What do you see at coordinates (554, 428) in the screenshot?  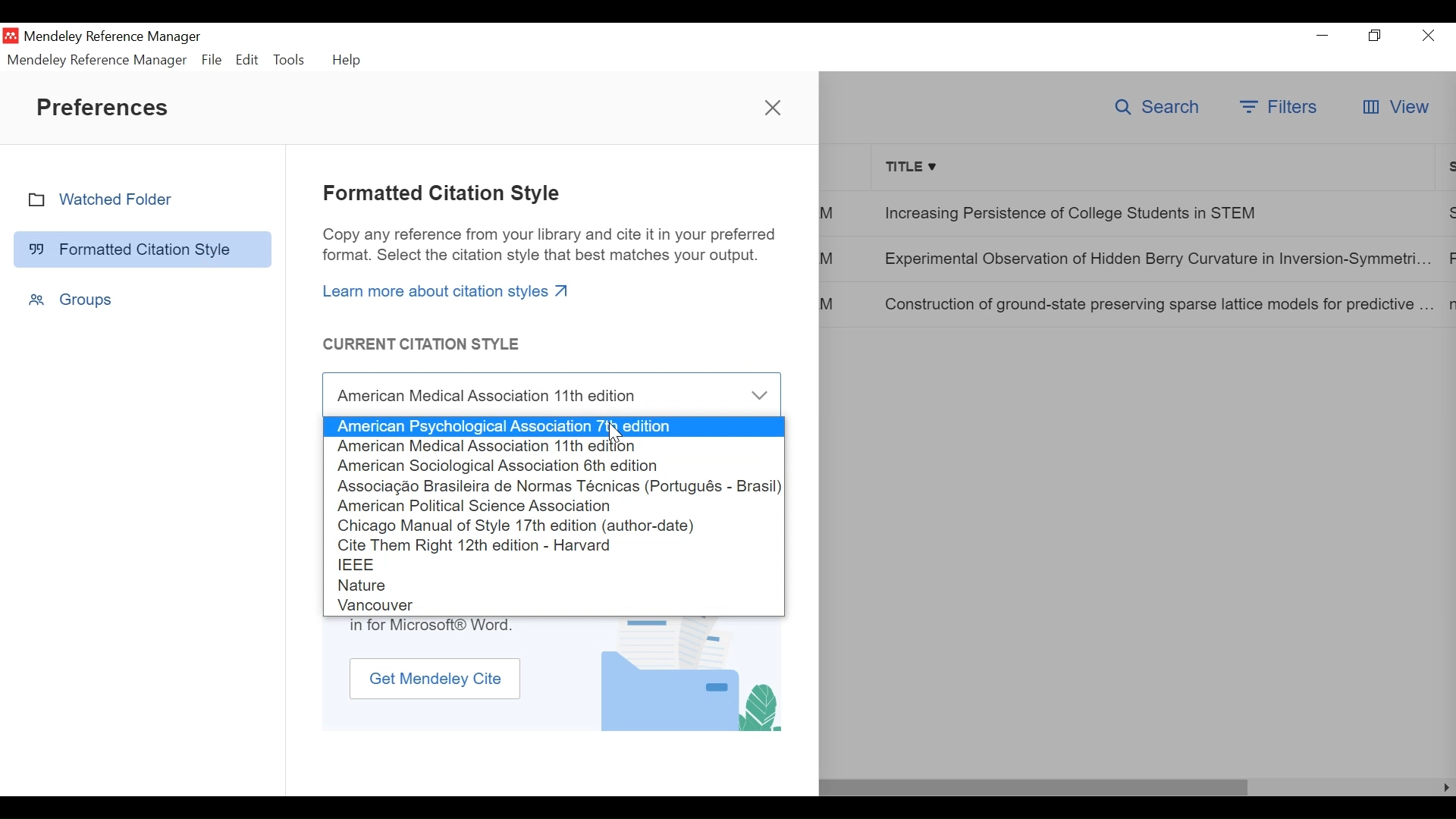 I see `American Psychological Association 7th edition` at bounding box center [554, 428].